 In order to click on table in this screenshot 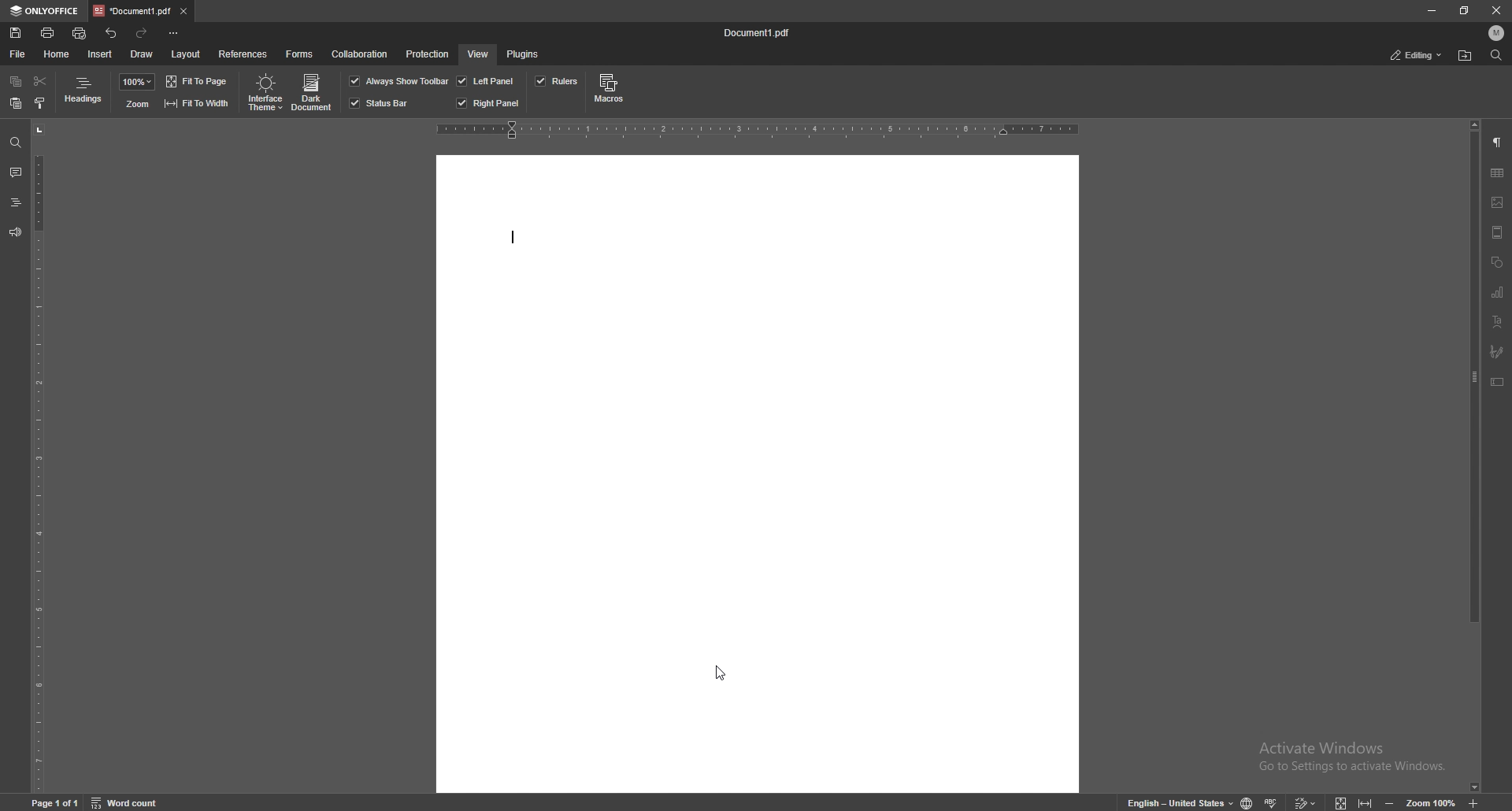, I will do `click(1497, 173)`.